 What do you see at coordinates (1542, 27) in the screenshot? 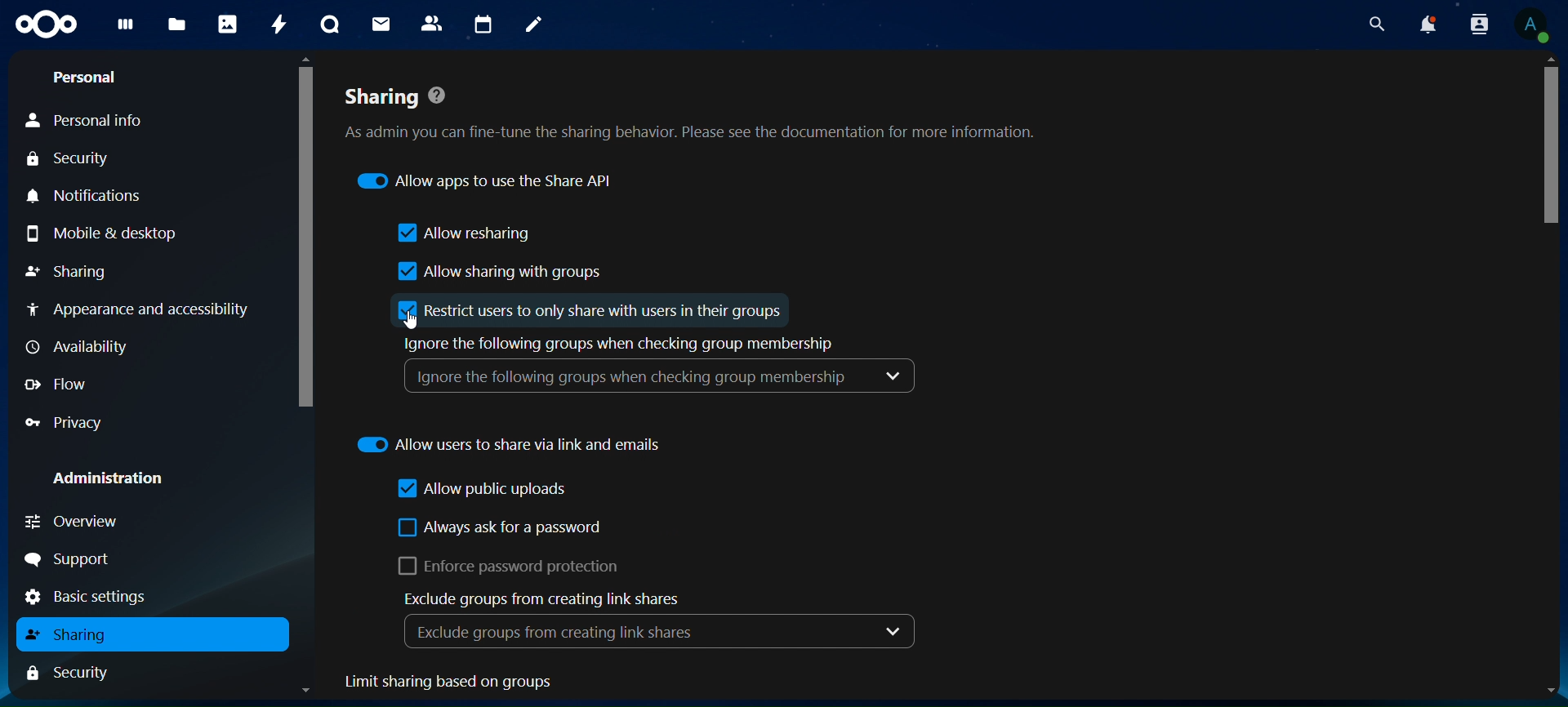
I see `view profile` at bounding box center [1542, 27].